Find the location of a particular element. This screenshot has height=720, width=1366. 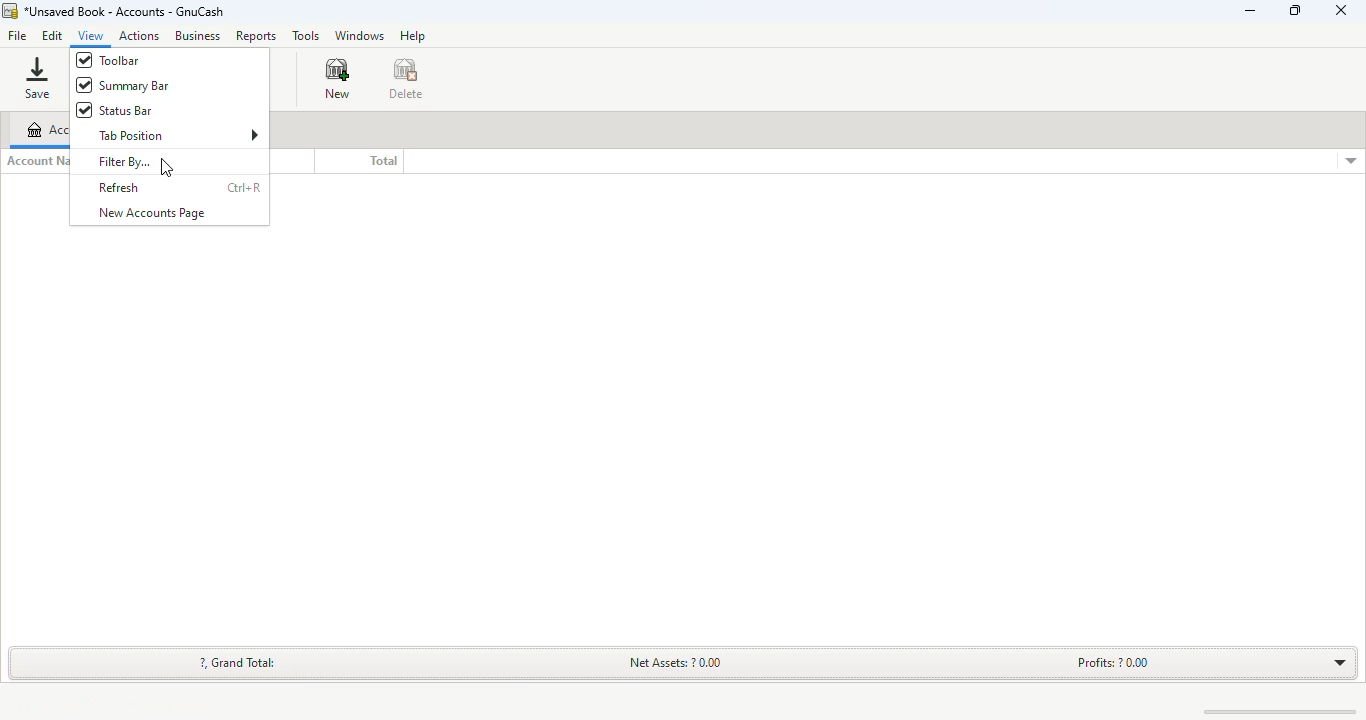

reports is located at coordinates (255, 37).